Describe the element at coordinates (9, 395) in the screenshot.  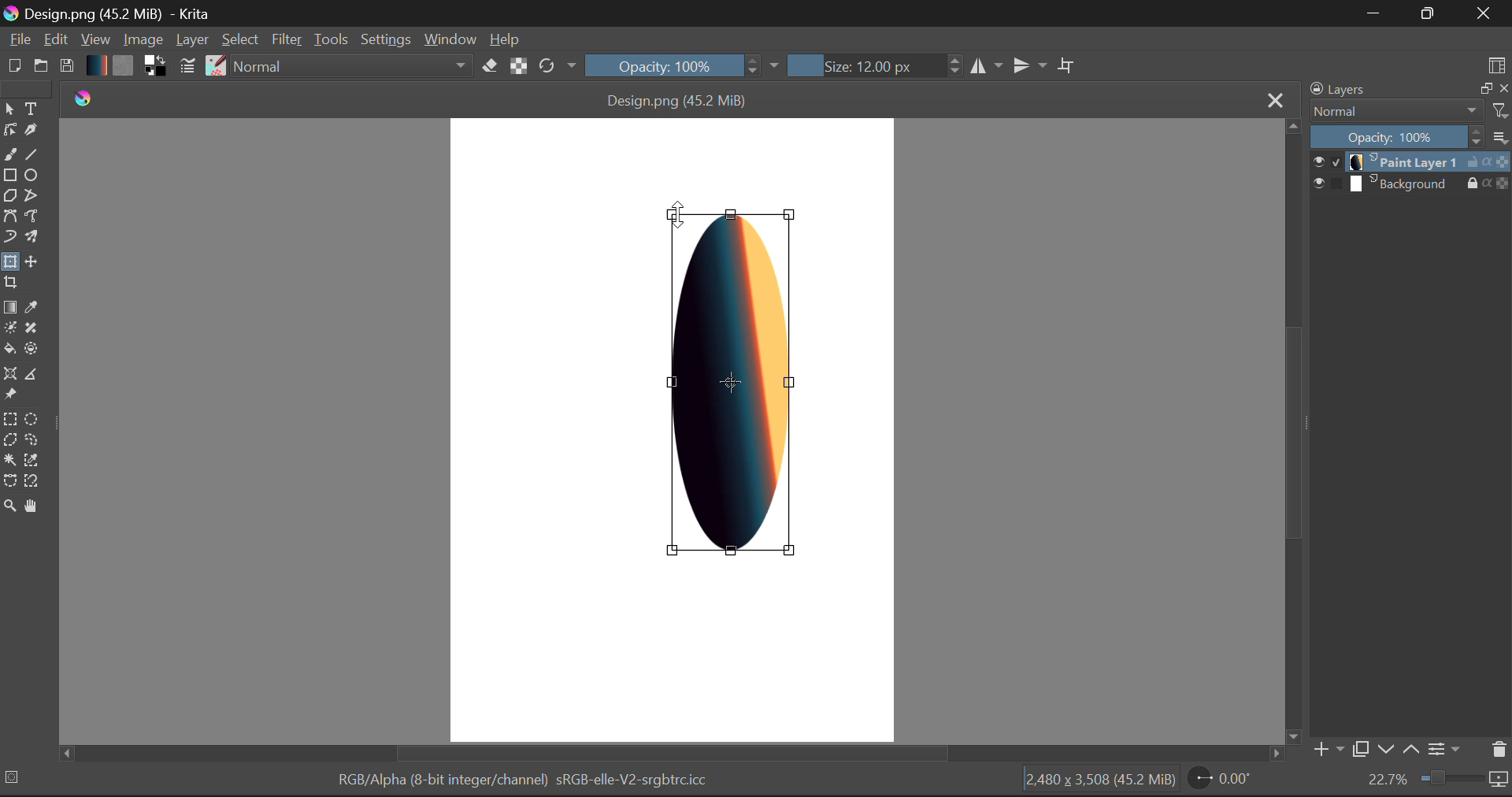
I see `Reference Image` at that location.